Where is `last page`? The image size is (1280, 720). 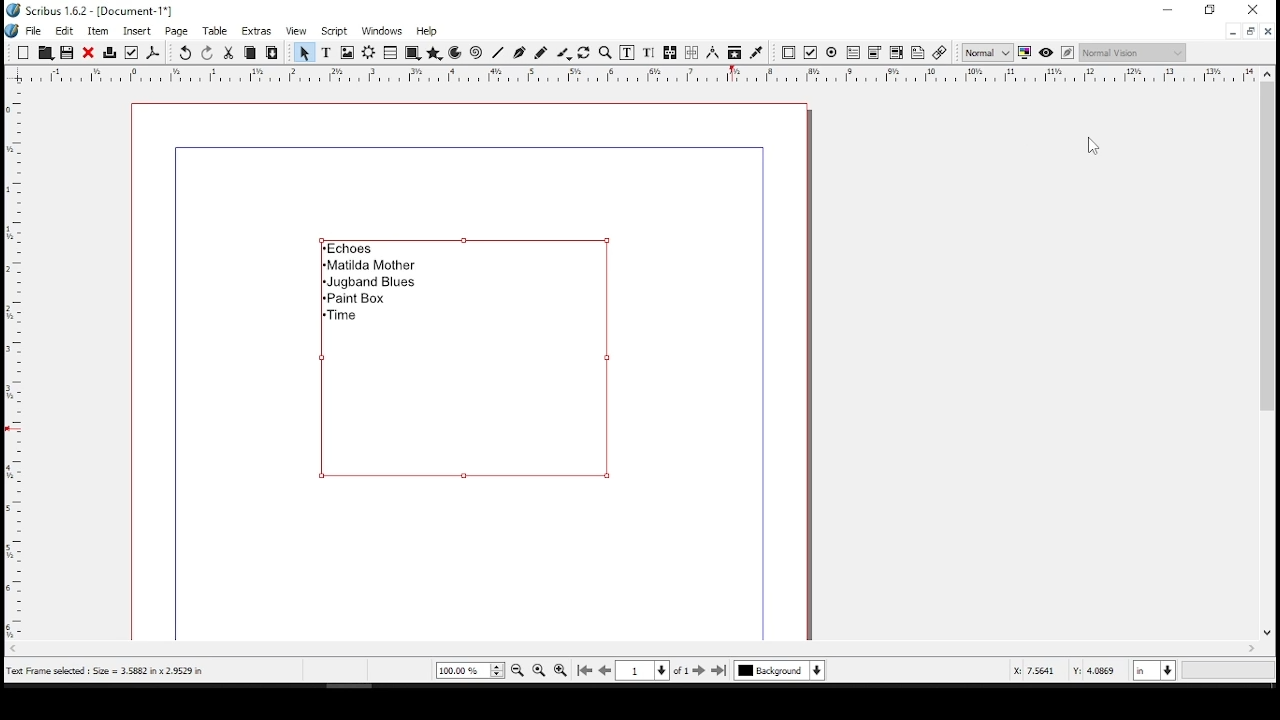 last page is located at coordinates (720, 670).